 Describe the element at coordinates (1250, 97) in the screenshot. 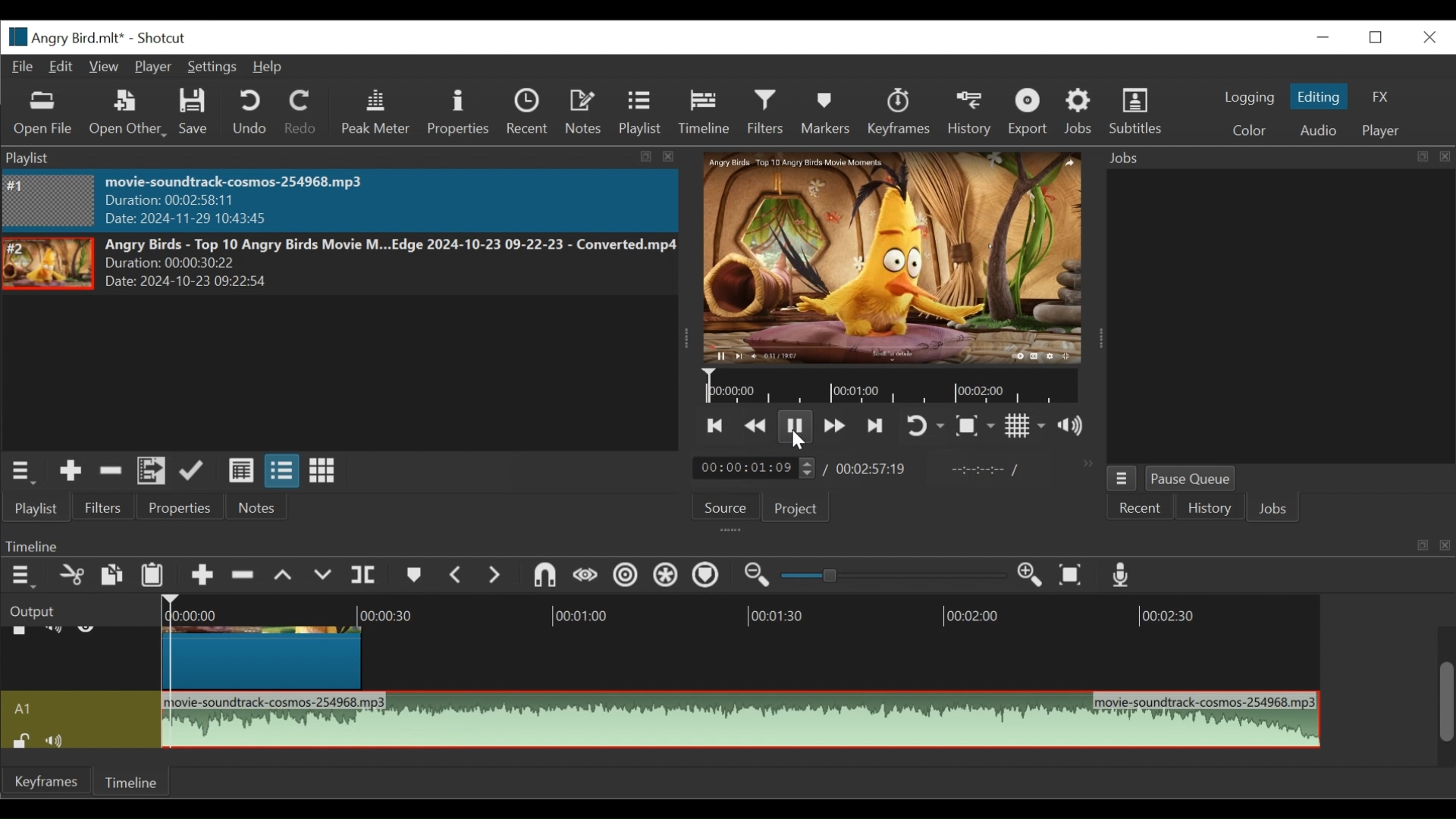

I see `logging` at that location.